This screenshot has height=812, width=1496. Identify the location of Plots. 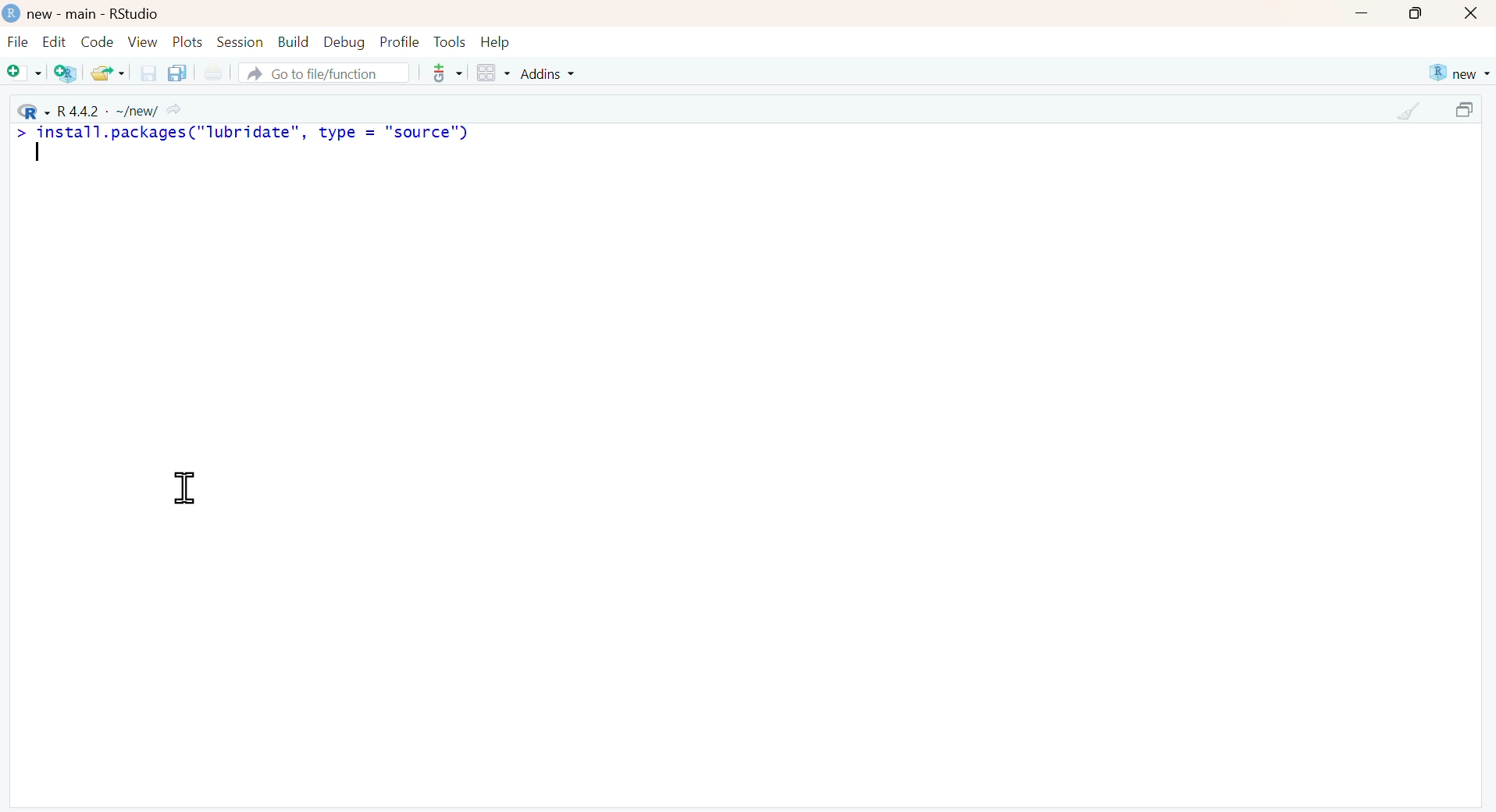
(188, 41).